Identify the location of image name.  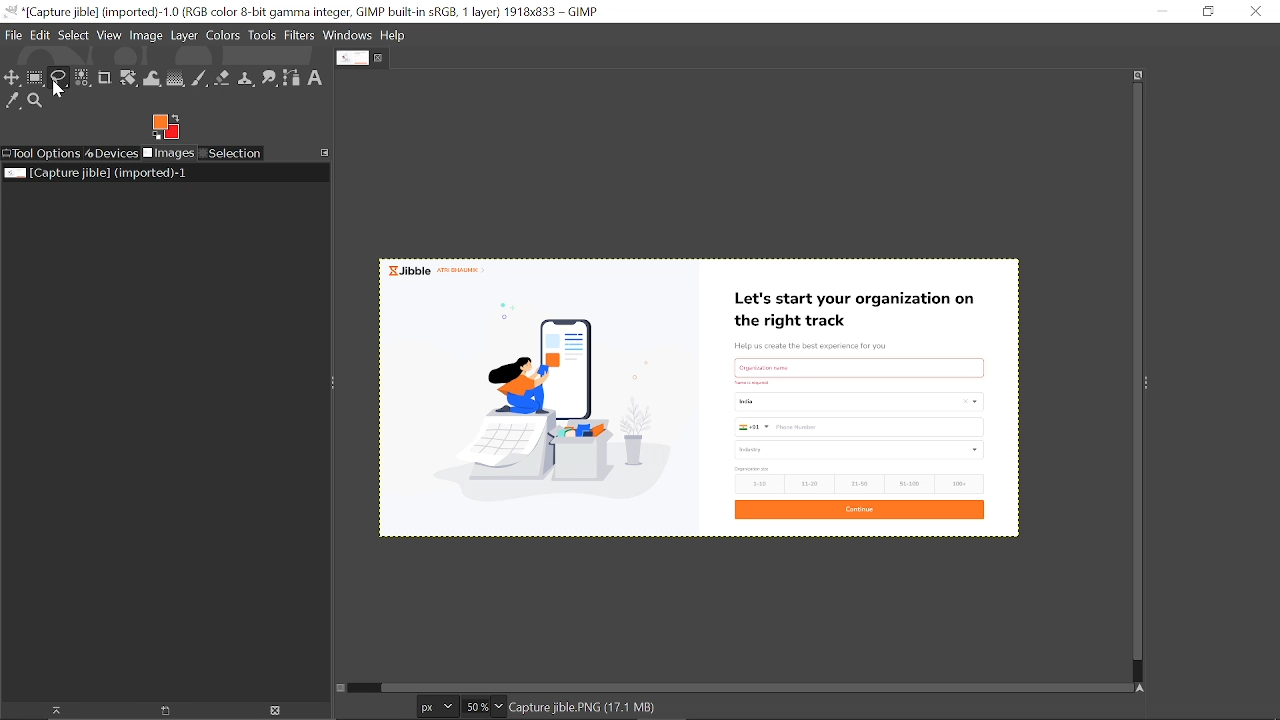
(584, 707).